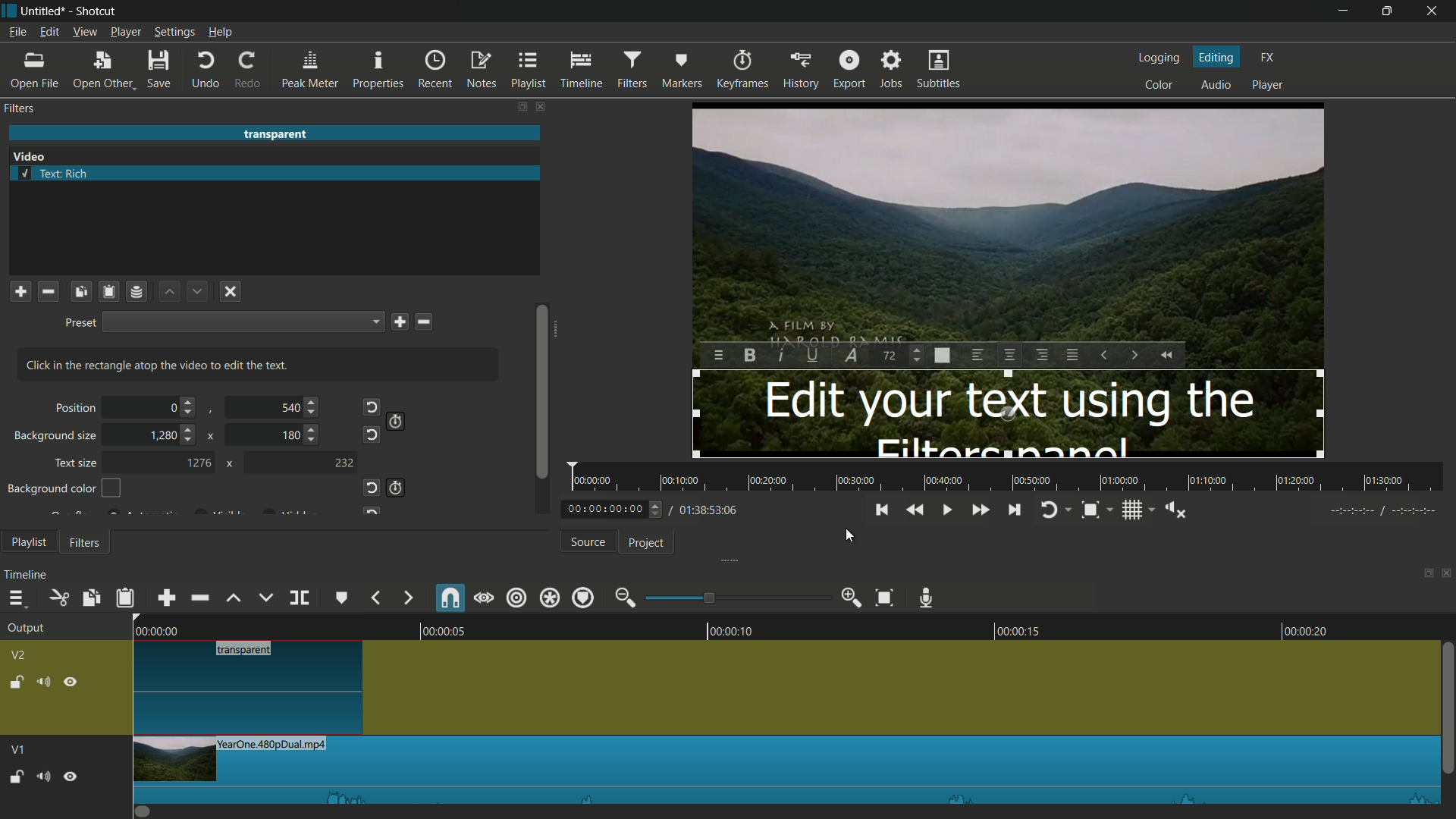  I want to click on append, so click(163, 598).